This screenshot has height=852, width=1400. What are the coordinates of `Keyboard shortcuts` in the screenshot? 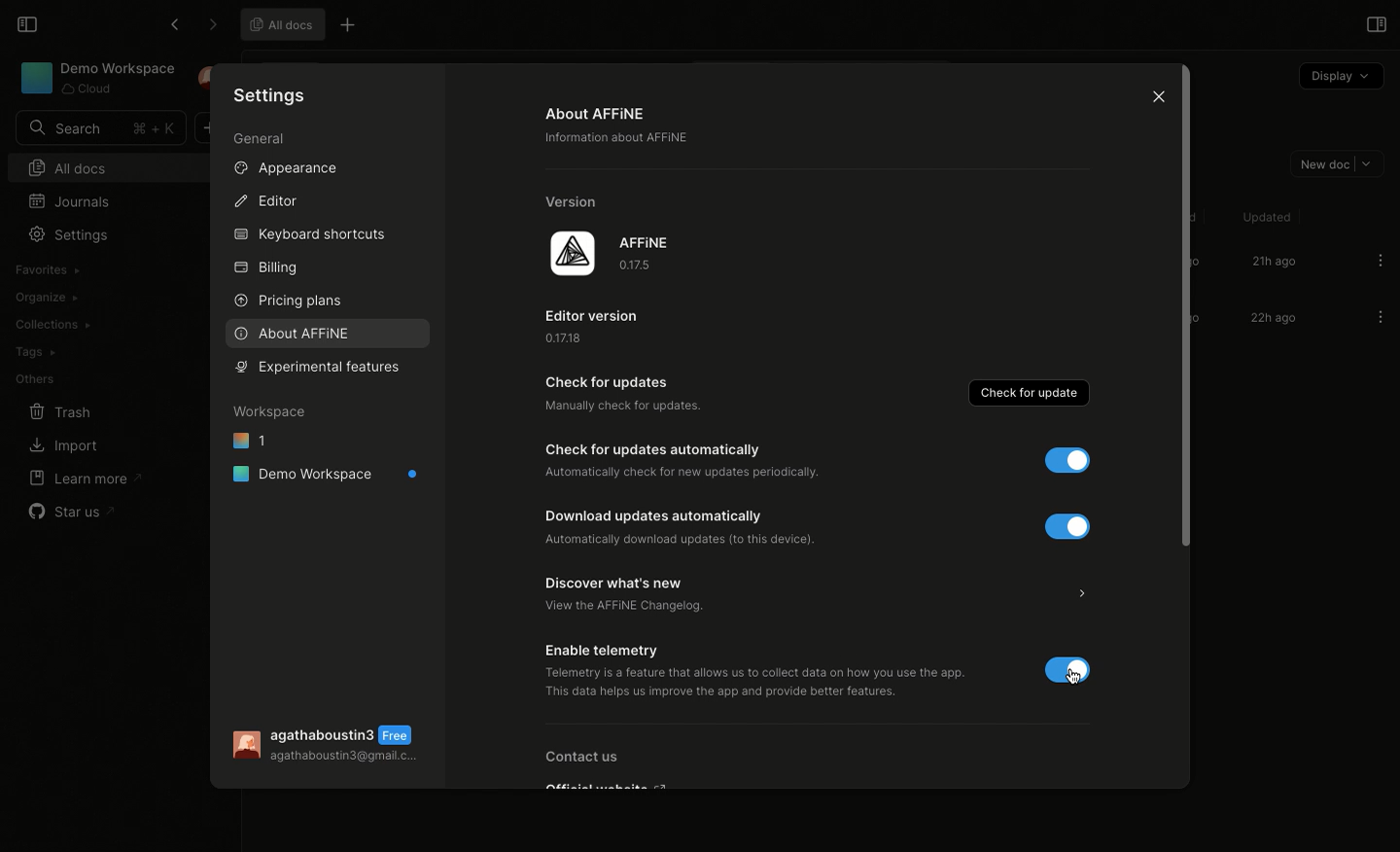 It's located at (311, 236).